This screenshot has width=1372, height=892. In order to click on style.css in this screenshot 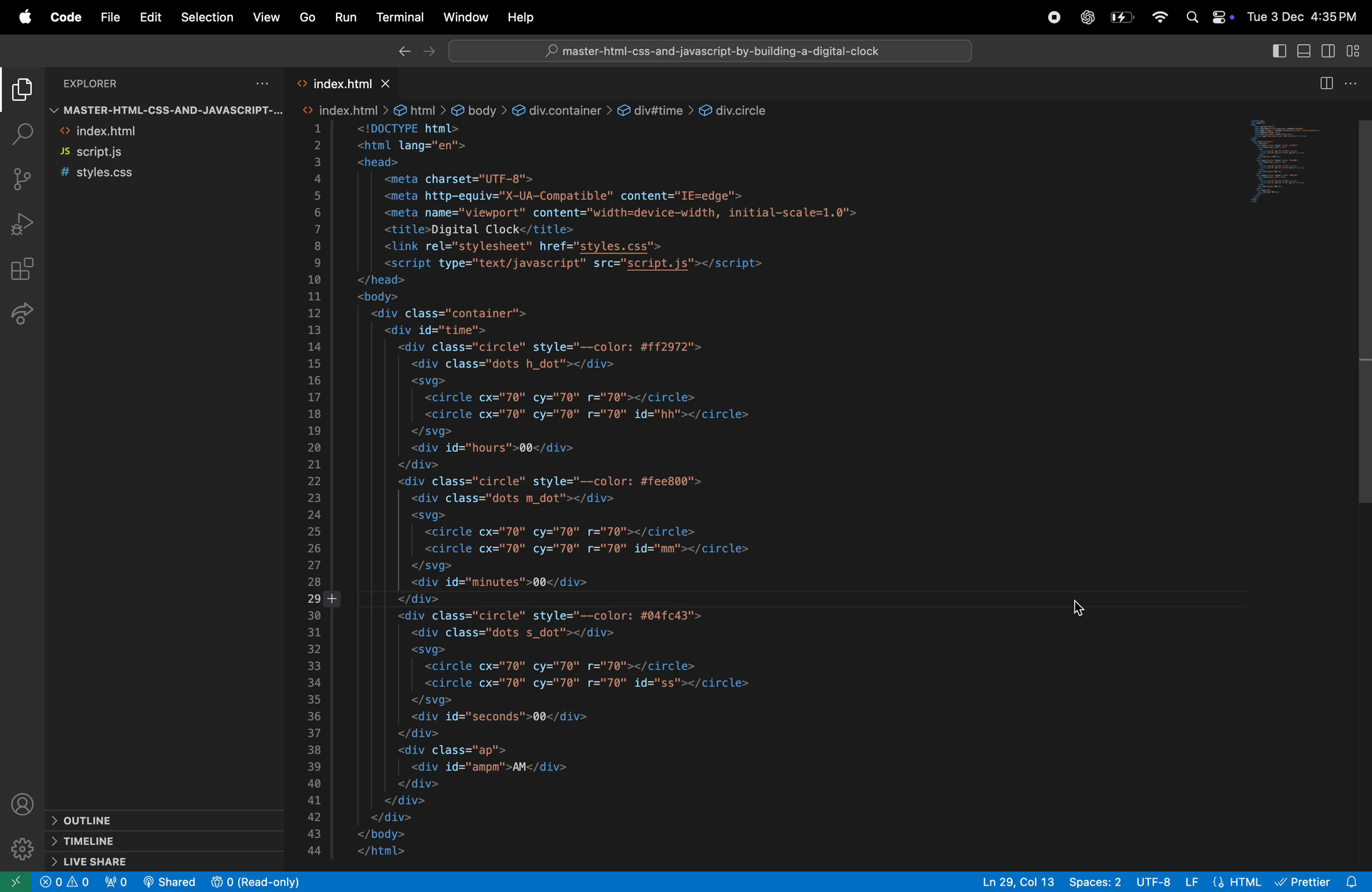, I will do `click(156, 175)`.